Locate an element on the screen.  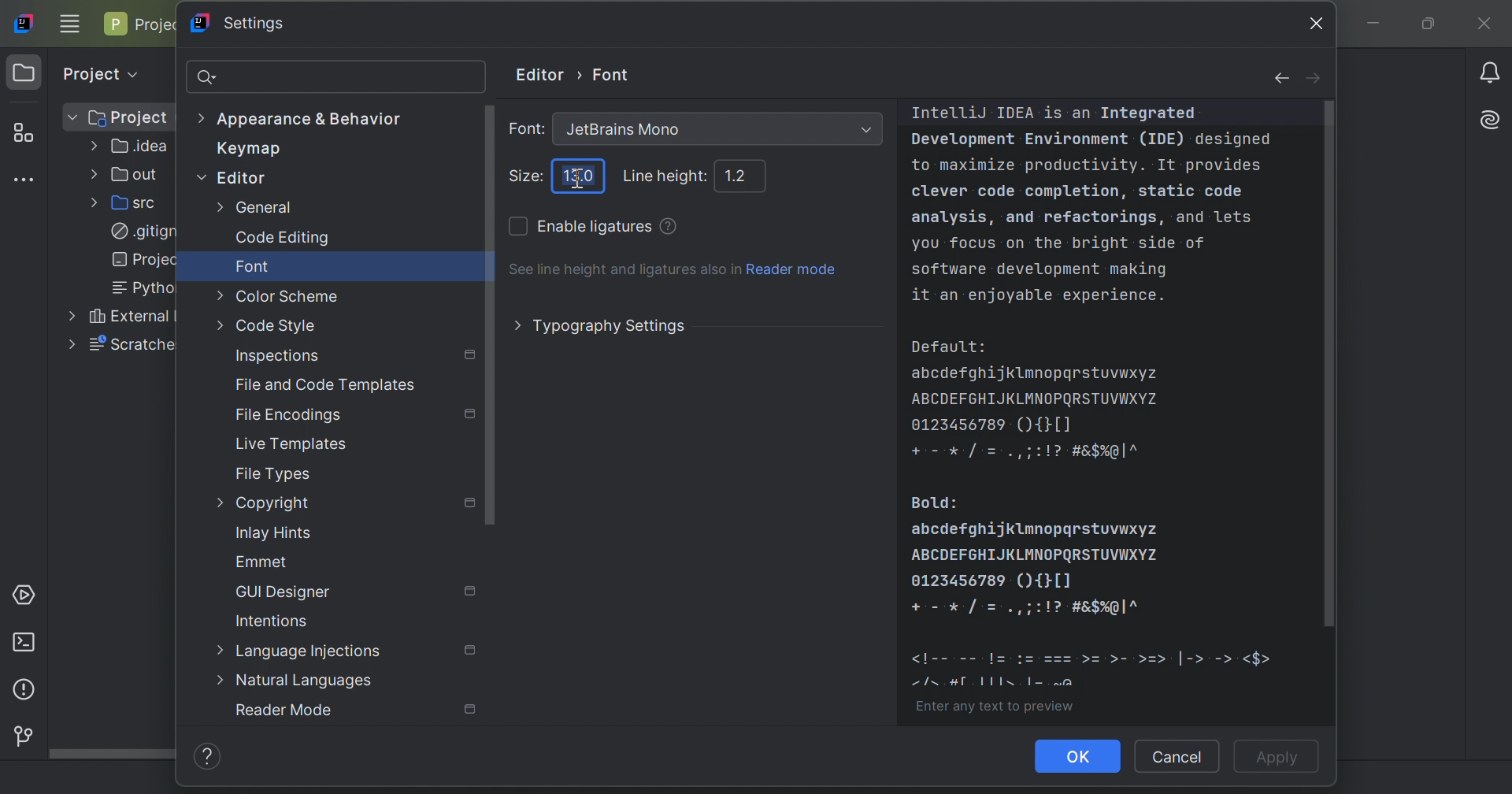
abcdefghijklmnopqrstuvwxyz is located at coordinates (1039, 530).